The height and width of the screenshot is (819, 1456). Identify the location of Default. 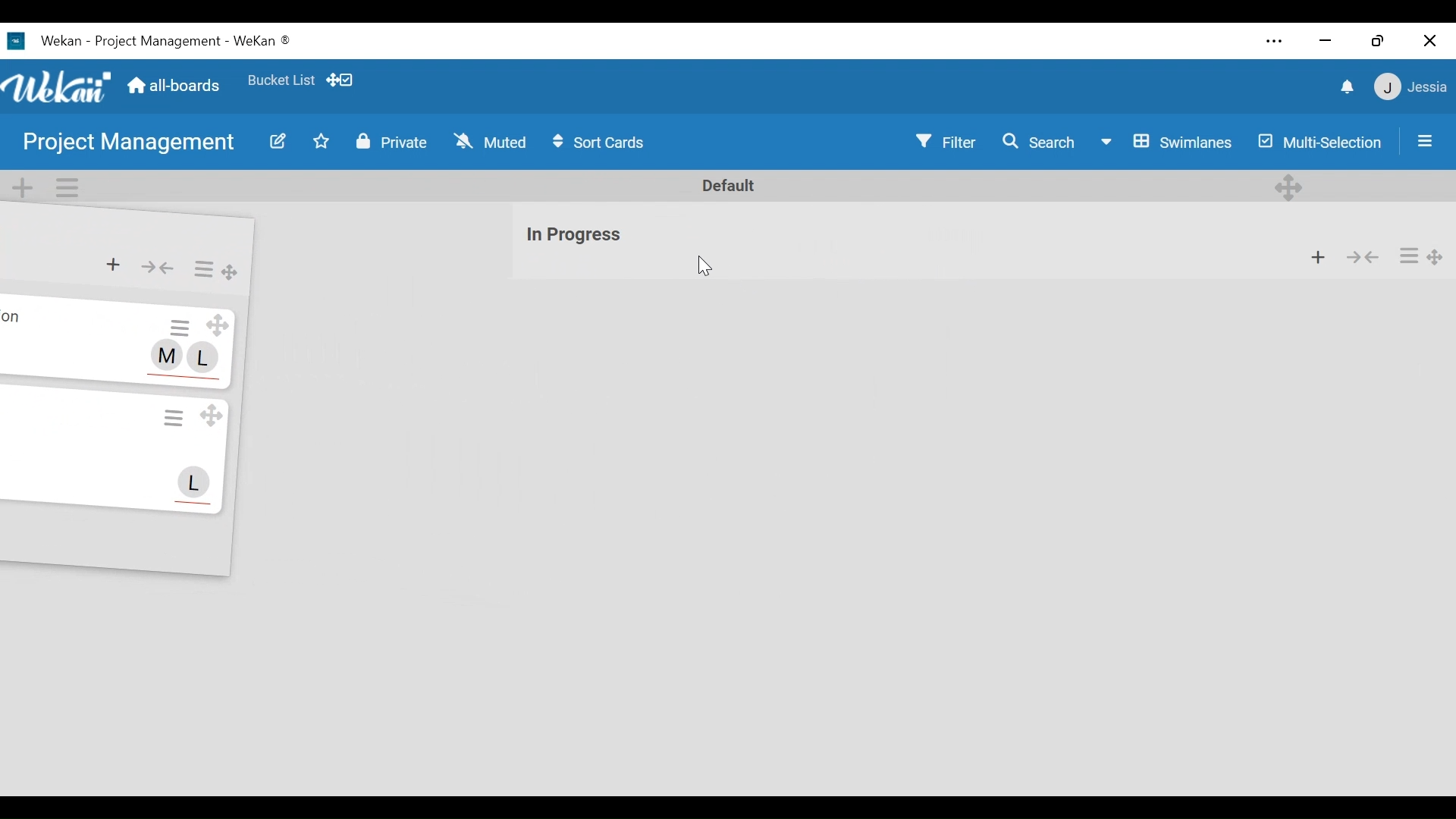
(731, 187).